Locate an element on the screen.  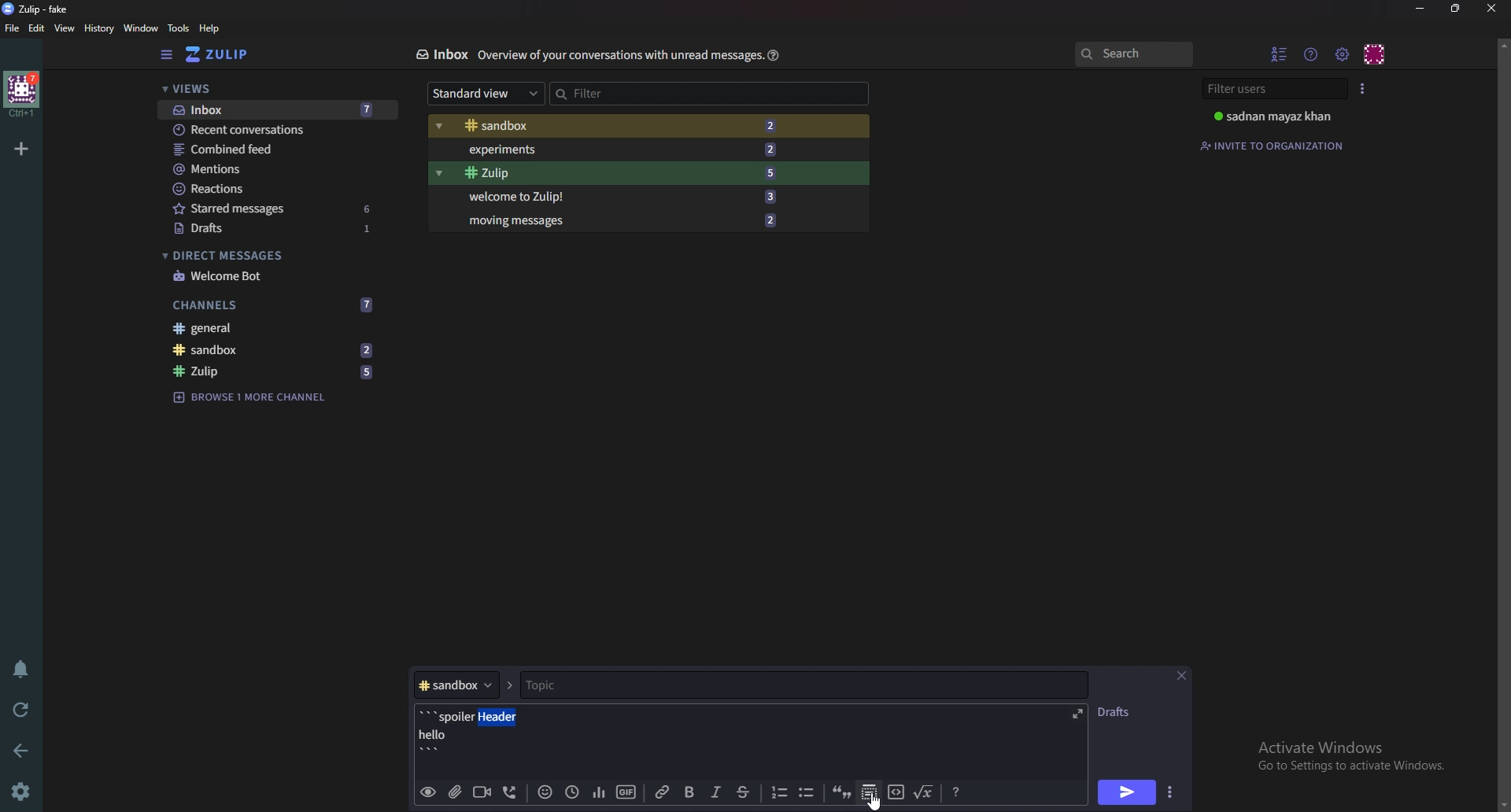
Moving messages is located at coordinates (622, 220).